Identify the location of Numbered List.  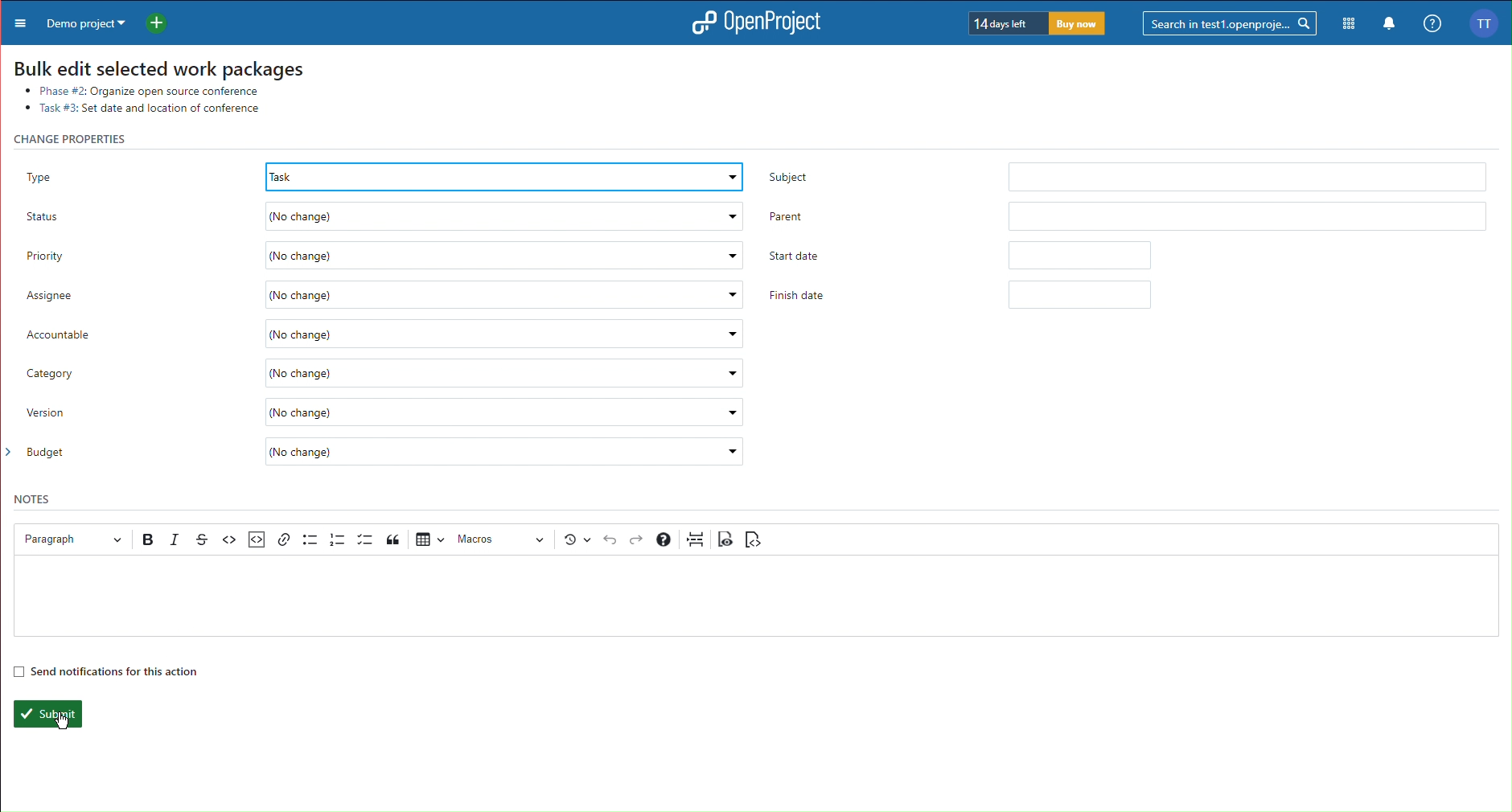
(338, 539).